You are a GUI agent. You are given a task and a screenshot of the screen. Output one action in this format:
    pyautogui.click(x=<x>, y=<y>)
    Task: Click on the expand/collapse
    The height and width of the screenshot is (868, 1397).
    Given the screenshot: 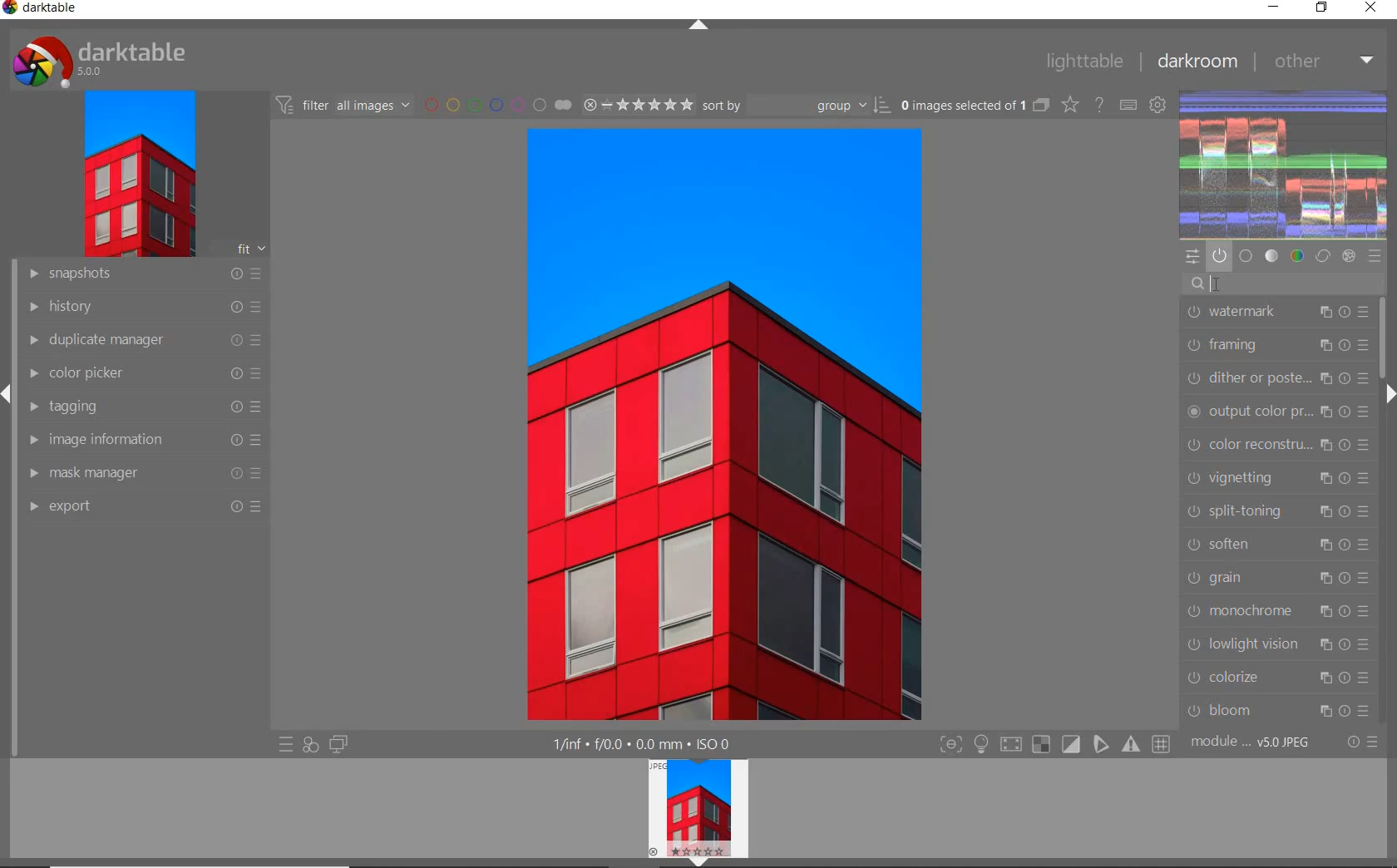 What is the action you would take?
    pyautogui.click(x=699, y=862)
    